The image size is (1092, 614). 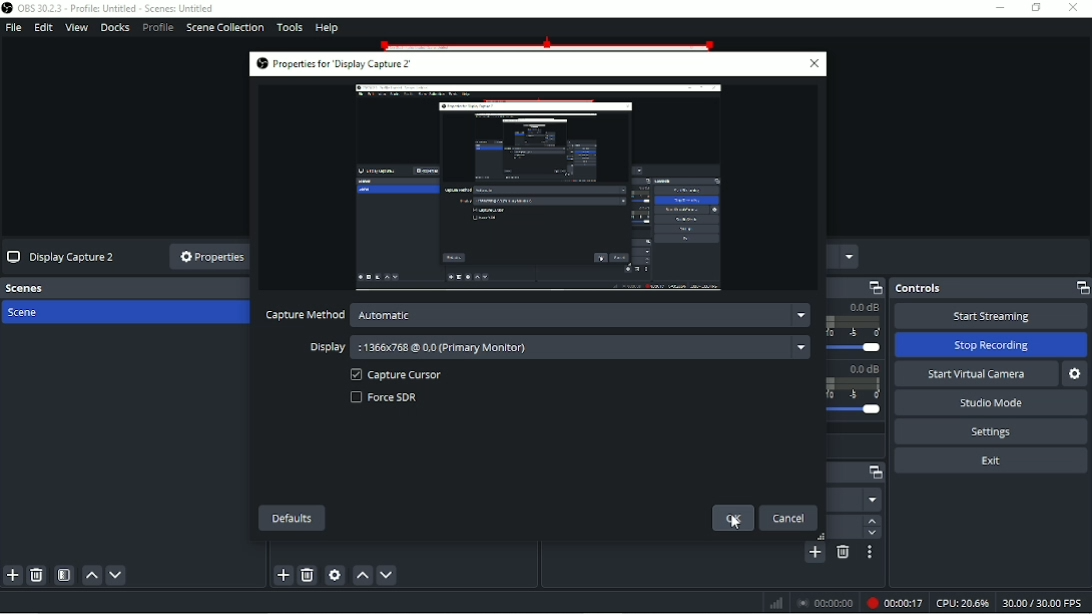 I want to click on :1366x768 @ 0,0 (Primary Monitor), so click(x=579, y=347).